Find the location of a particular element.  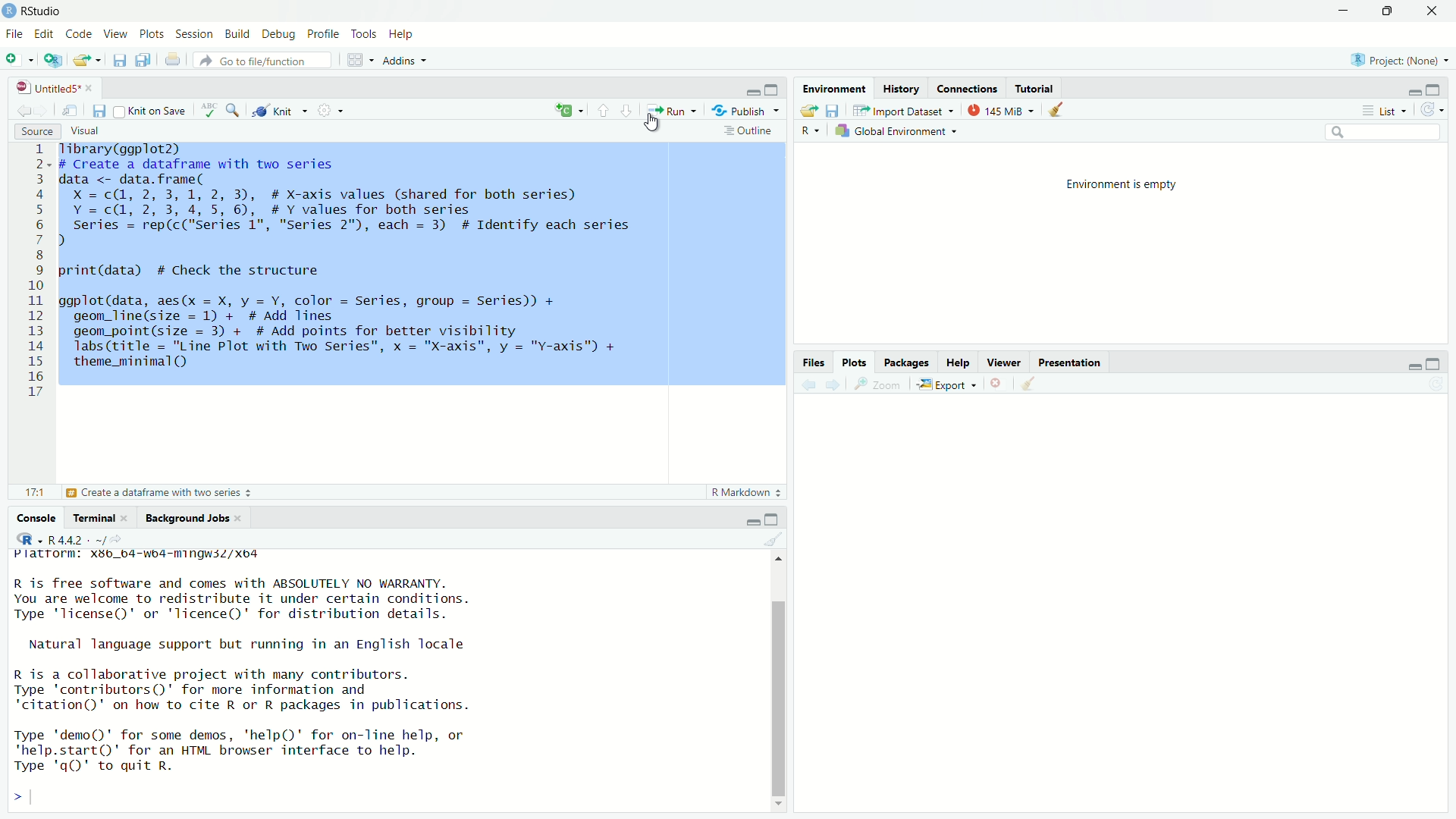

Zoom is located at coordinates (877, 384).